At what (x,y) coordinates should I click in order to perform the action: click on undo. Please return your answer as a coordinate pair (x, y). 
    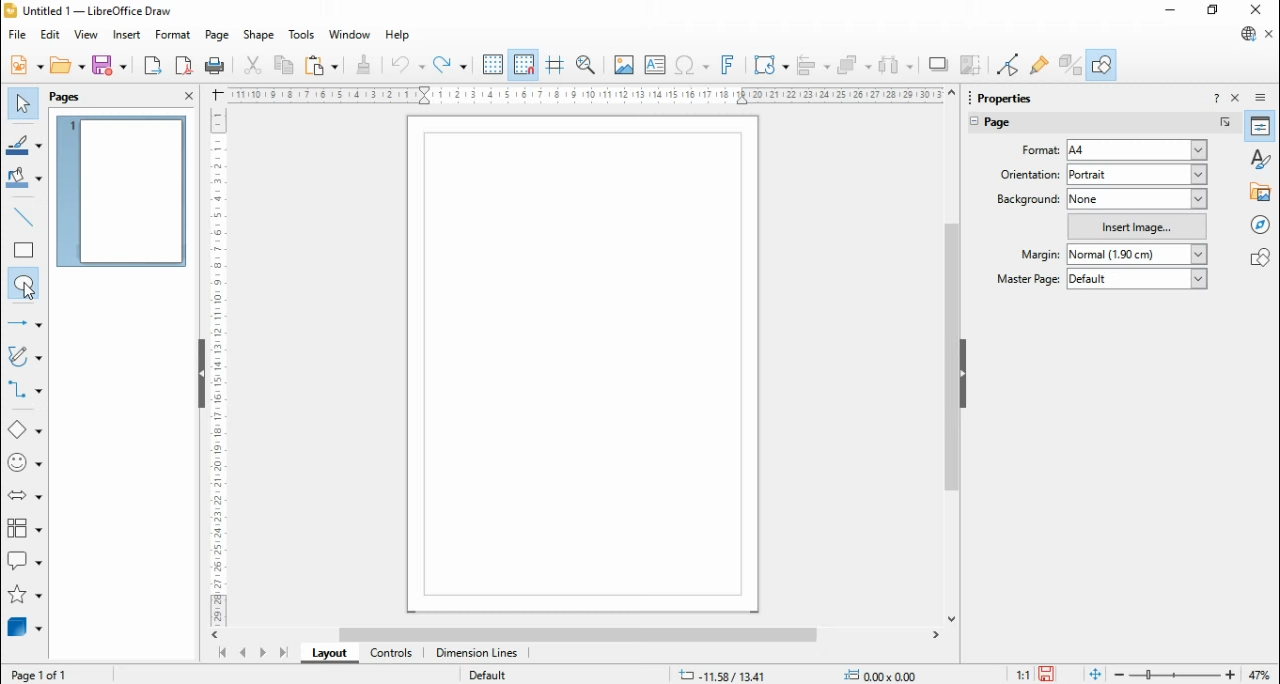
    Looking at the image, I should click on (408, 65).